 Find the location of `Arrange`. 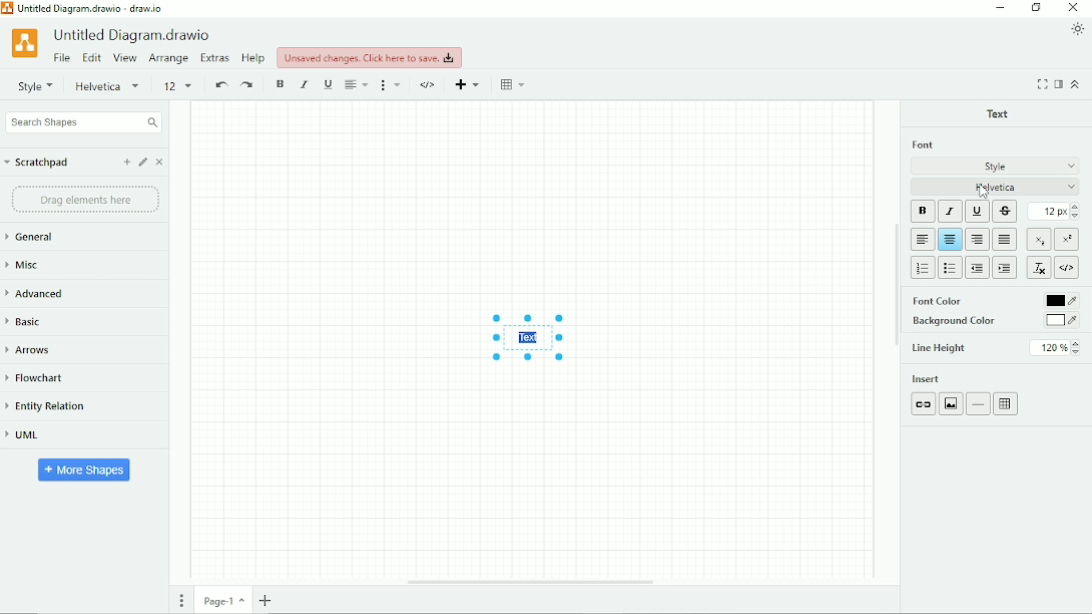

Arrange is located at coordinates (169, 59).